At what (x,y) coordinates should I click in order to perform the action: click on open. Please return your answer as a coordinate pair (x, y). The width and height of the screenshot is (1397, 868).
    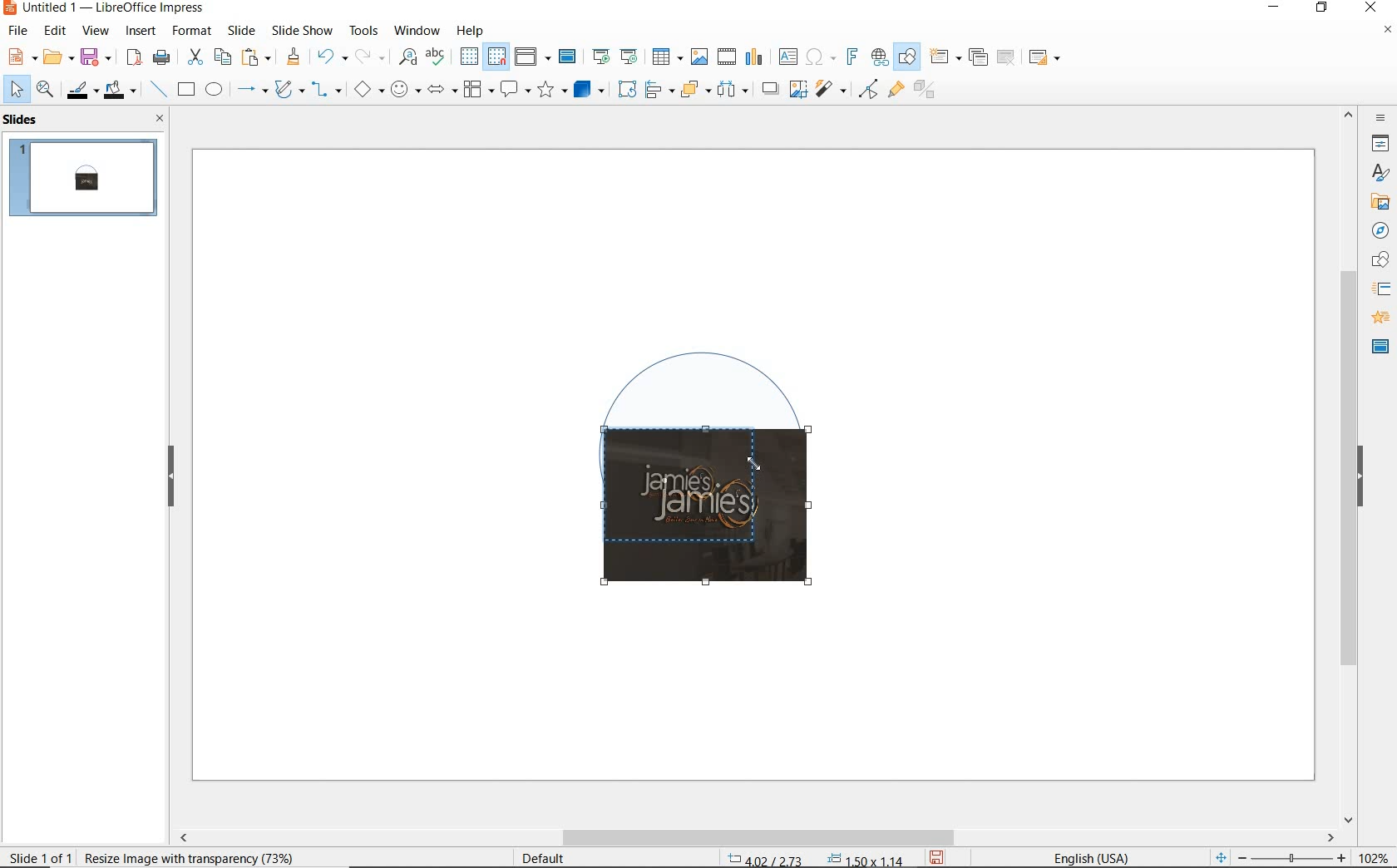
    Looking at the image, I should click on (56, 57).